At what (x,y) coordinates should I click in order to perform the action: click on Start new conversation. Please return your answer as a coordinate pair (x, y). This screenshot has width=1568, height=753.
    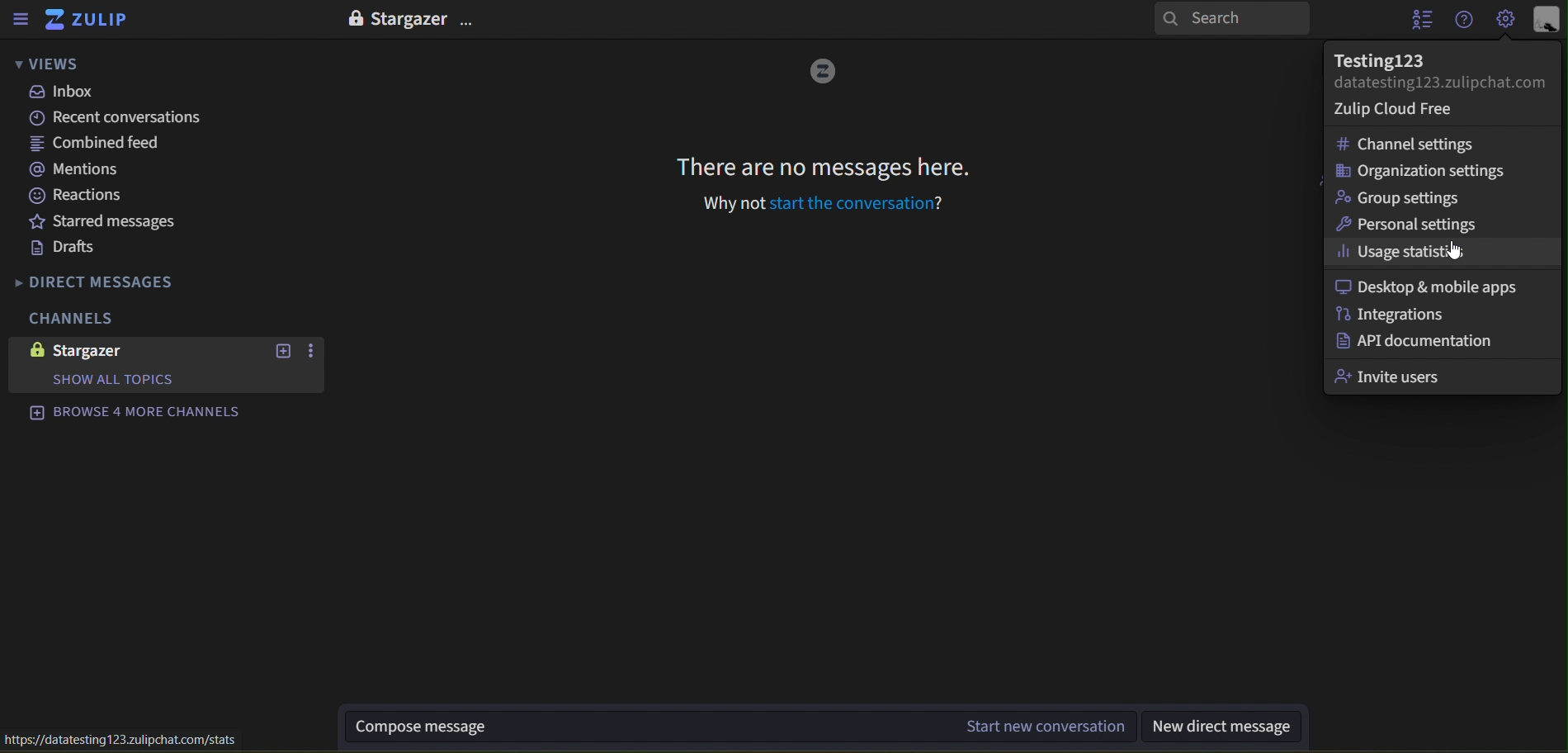
    Looking at the image, I should click on (1046, 725).